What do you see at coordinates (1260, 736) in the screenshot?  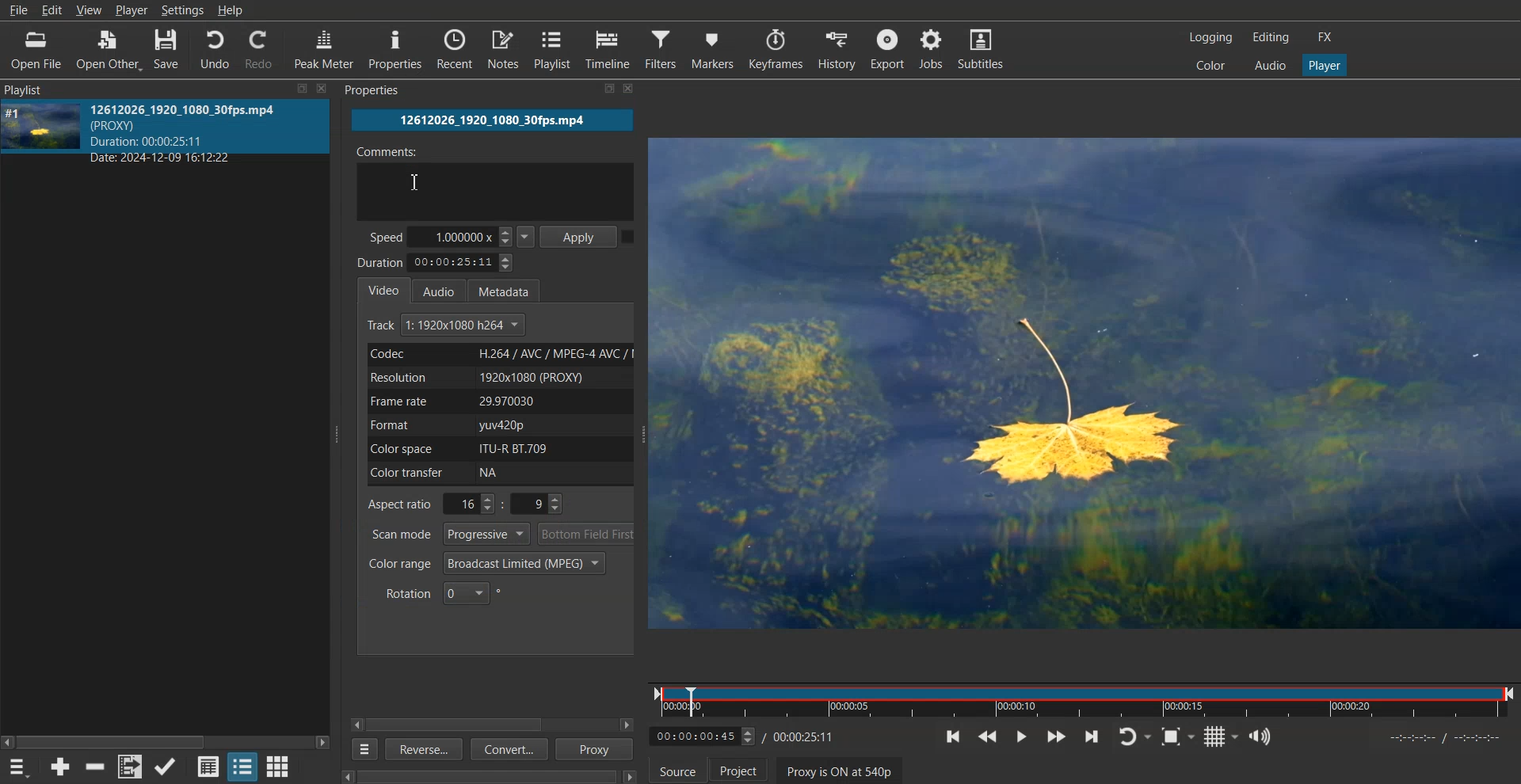 I see `Show the volume control` at bounding box center [1260, 736].